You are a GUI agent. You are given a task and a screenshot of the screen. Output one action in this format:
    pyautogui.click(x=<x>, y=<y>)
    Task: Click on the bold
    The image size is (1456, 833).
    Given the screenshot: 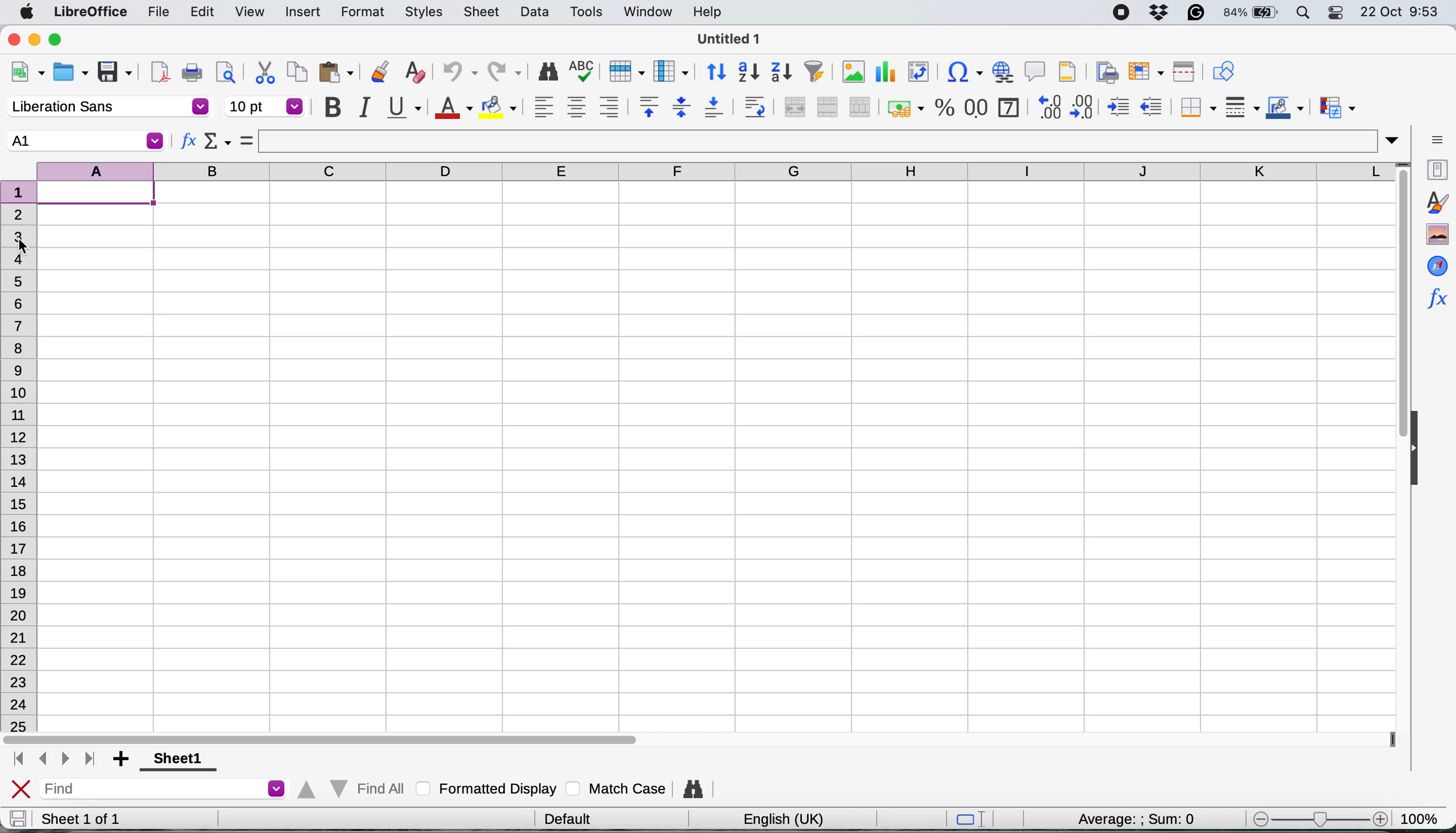 What is the action you would take?
    pyautogui.click(x=332, y=108)
    